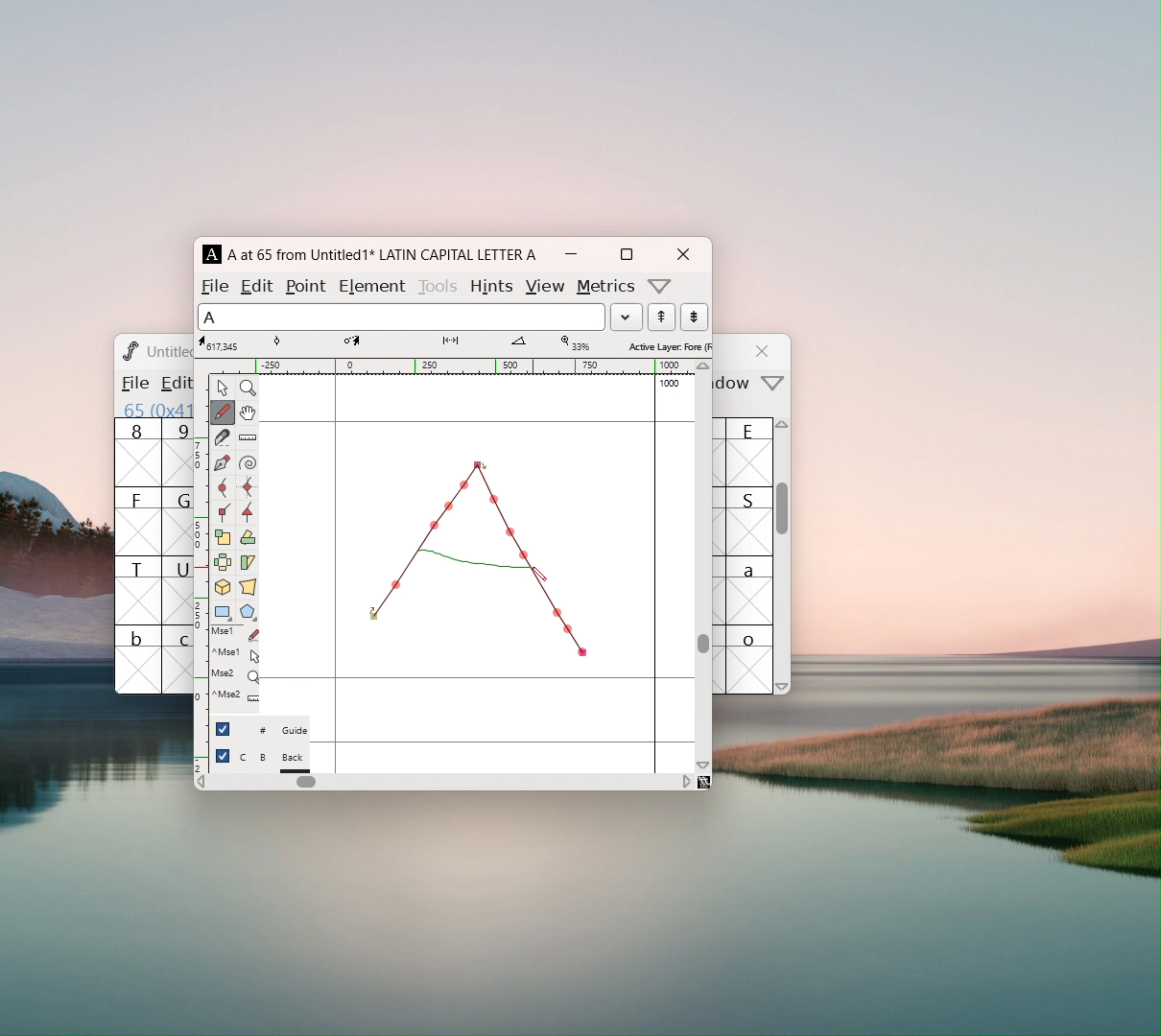 The width and height of the screenshot is (1161, 1036). Describe the element at coordinates (751, 659) in the screenshot. I see `o` at that location.